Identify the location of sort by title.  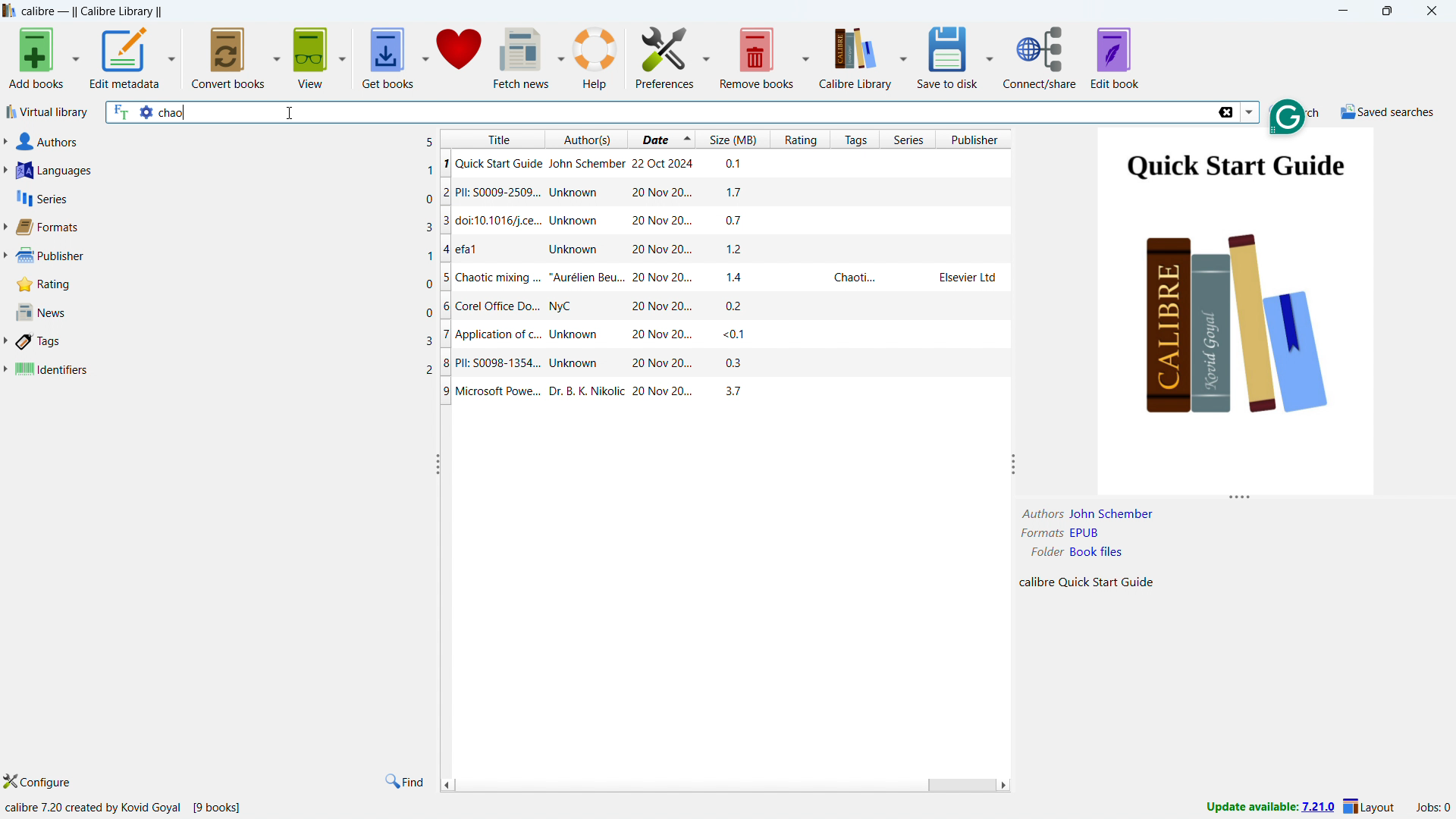
(494, 137).